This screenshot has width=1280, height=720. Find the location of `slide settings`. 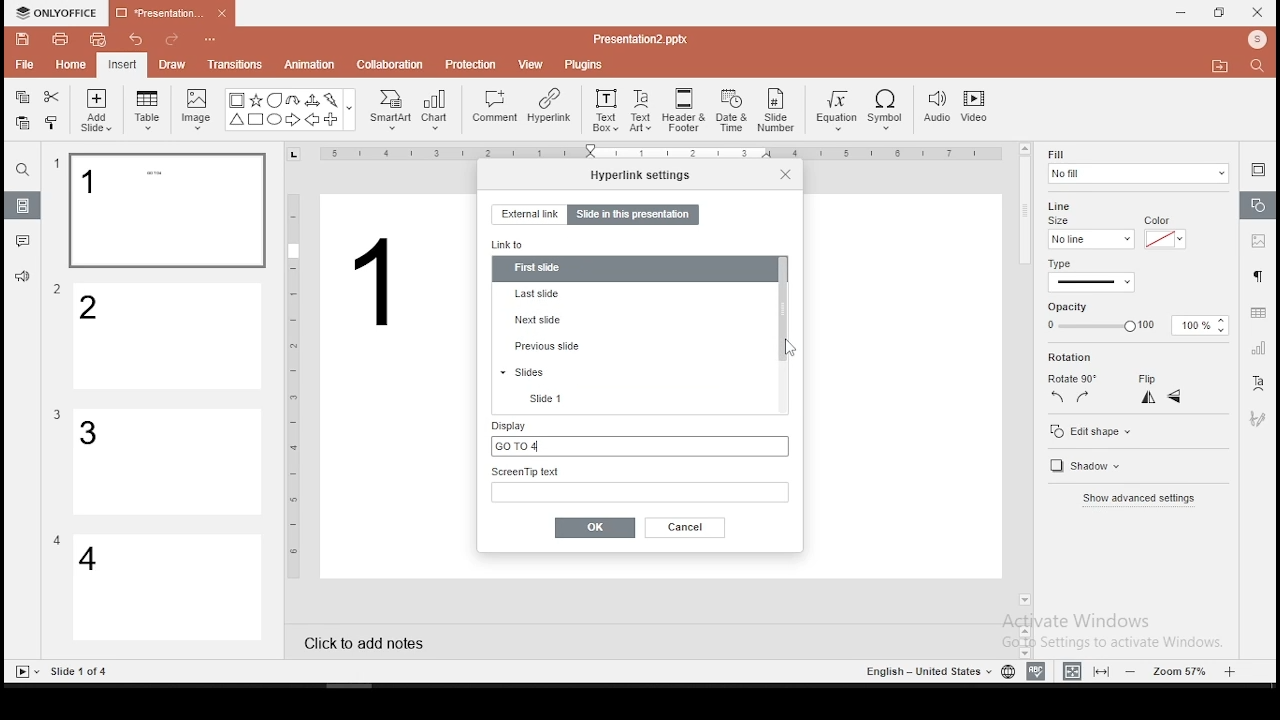

slide settings is located at coordinates (1258, 169).